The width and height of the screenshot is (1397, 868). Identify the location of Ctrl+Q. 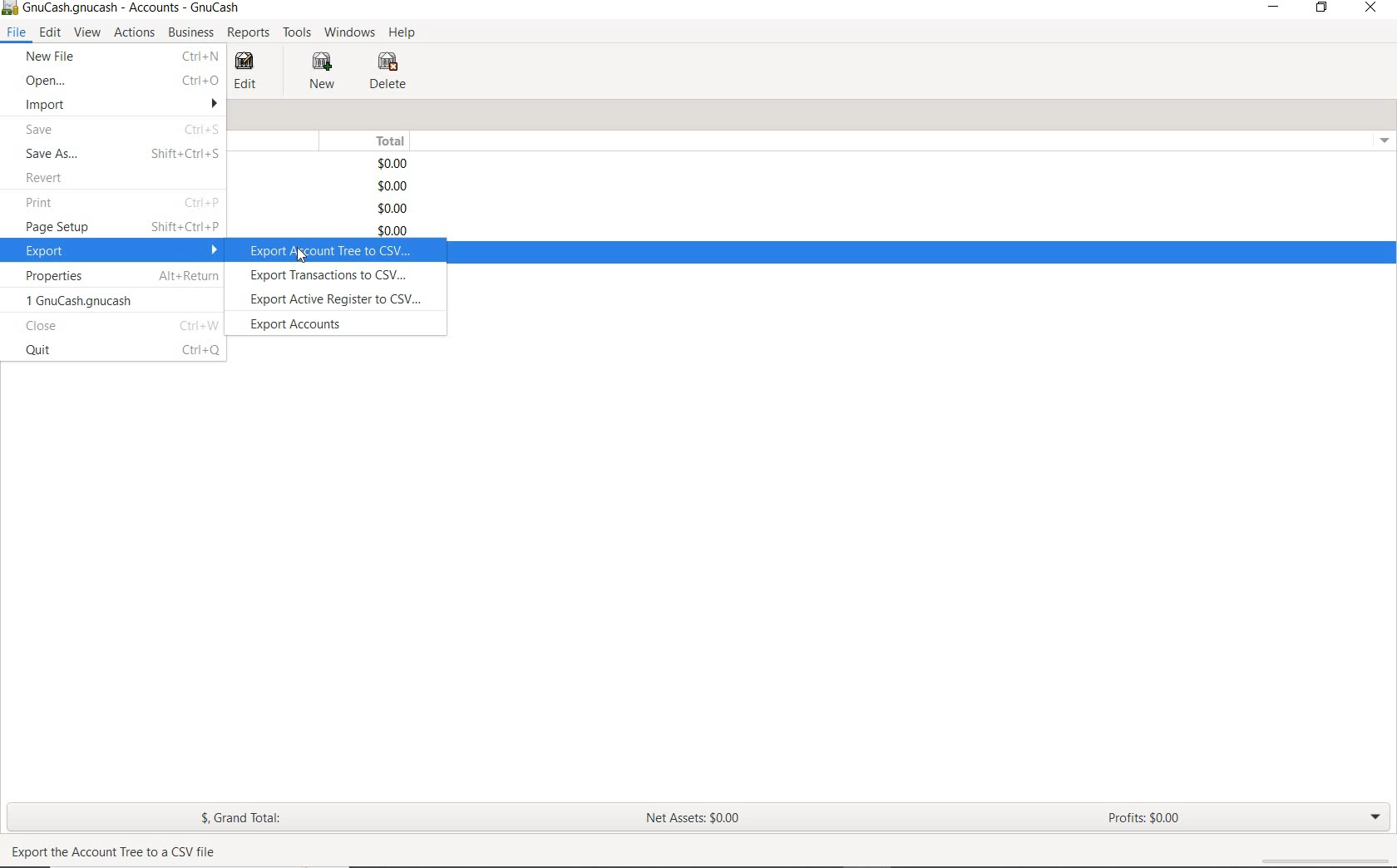
(199, 350).